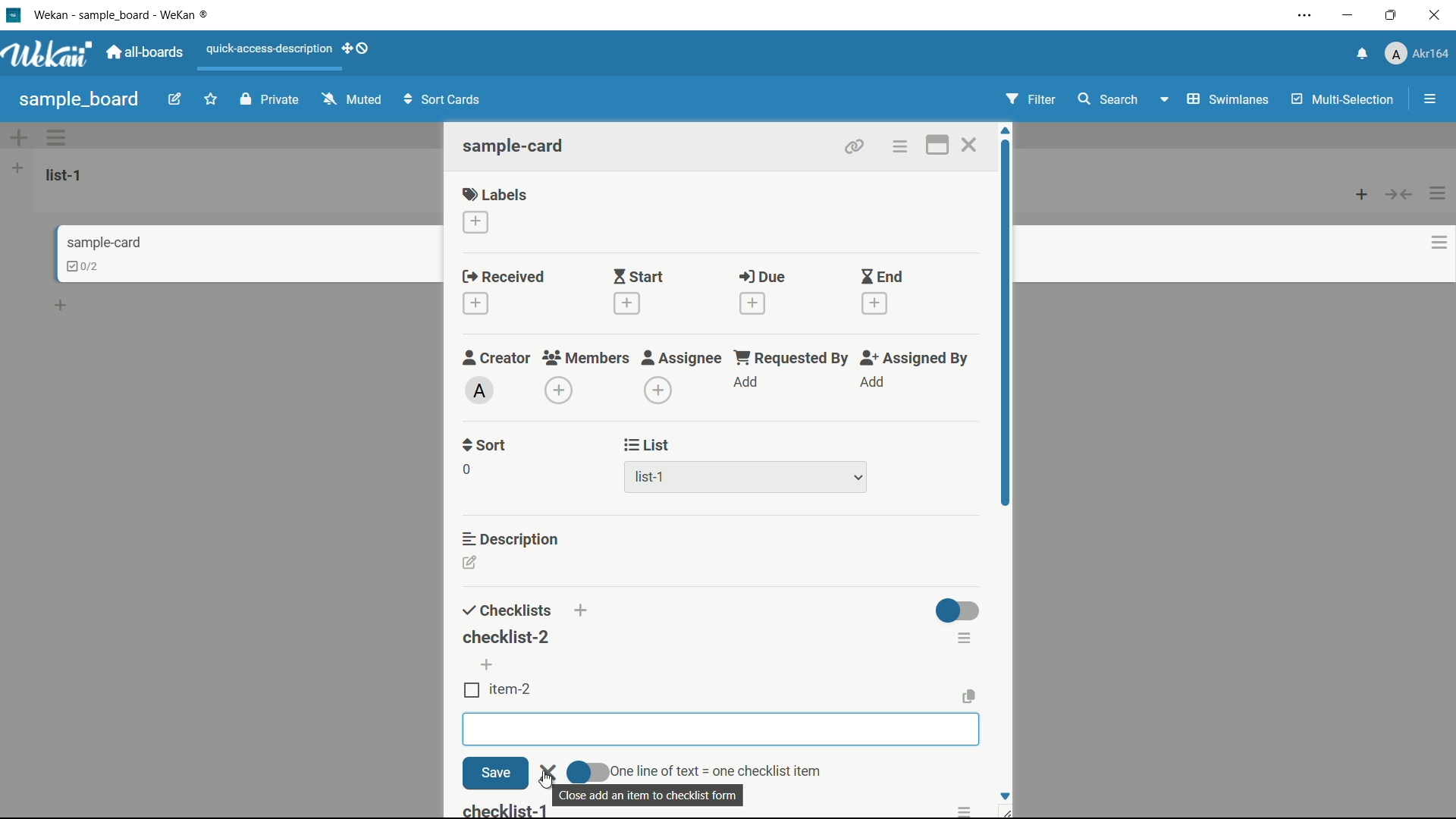 The height and width of the screenshot is (819, 1456). What do you see at coordinates (213, 101) in the screenshot?
I see `star` at bounding box center [213, 101].